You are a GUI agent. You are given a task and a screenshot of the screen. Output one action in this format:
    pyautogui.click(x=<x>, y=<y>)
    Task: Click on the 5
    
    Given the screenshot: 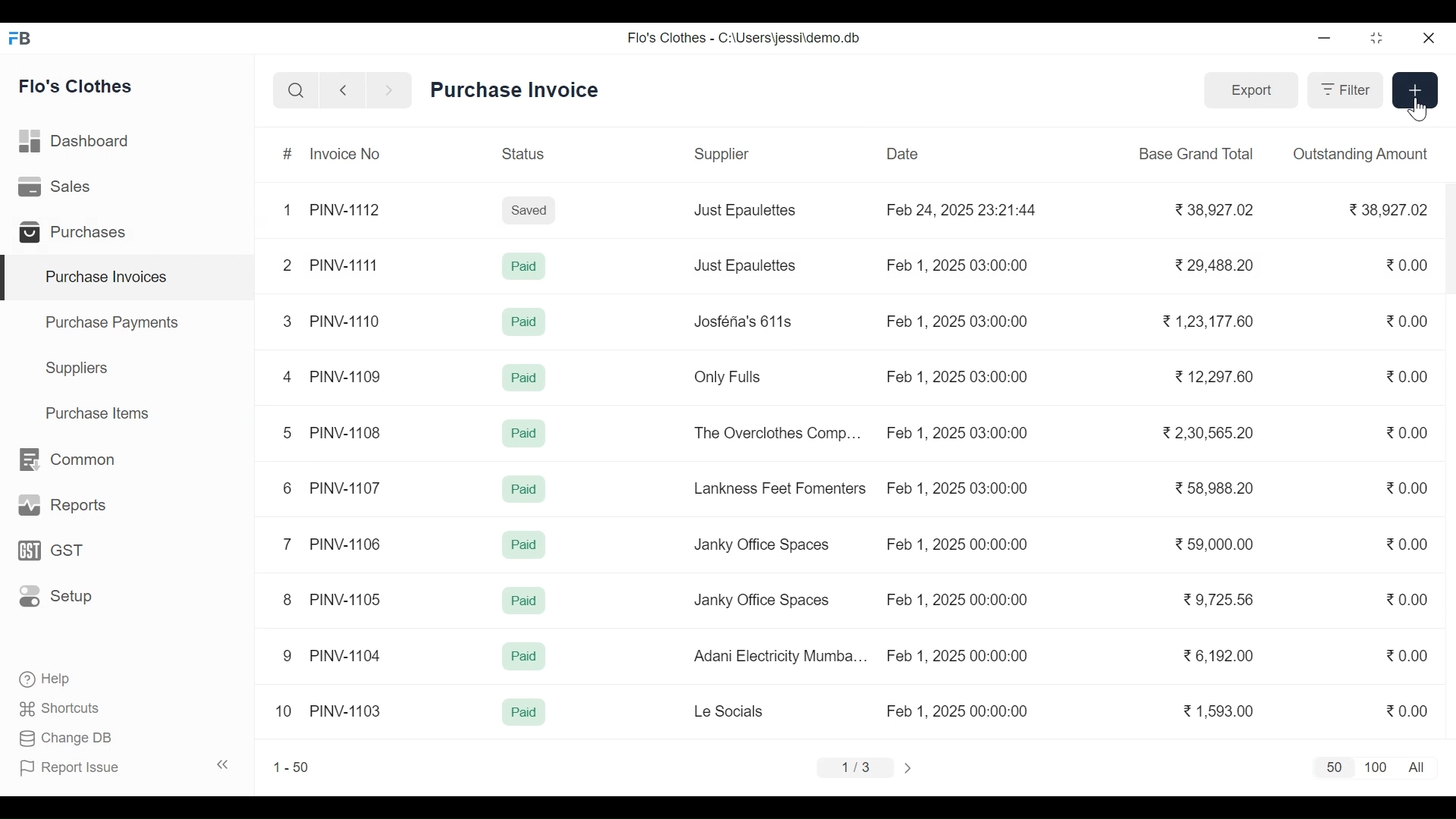 What is the action you would take?
    pyautogui.click(x=289, y=432)
    